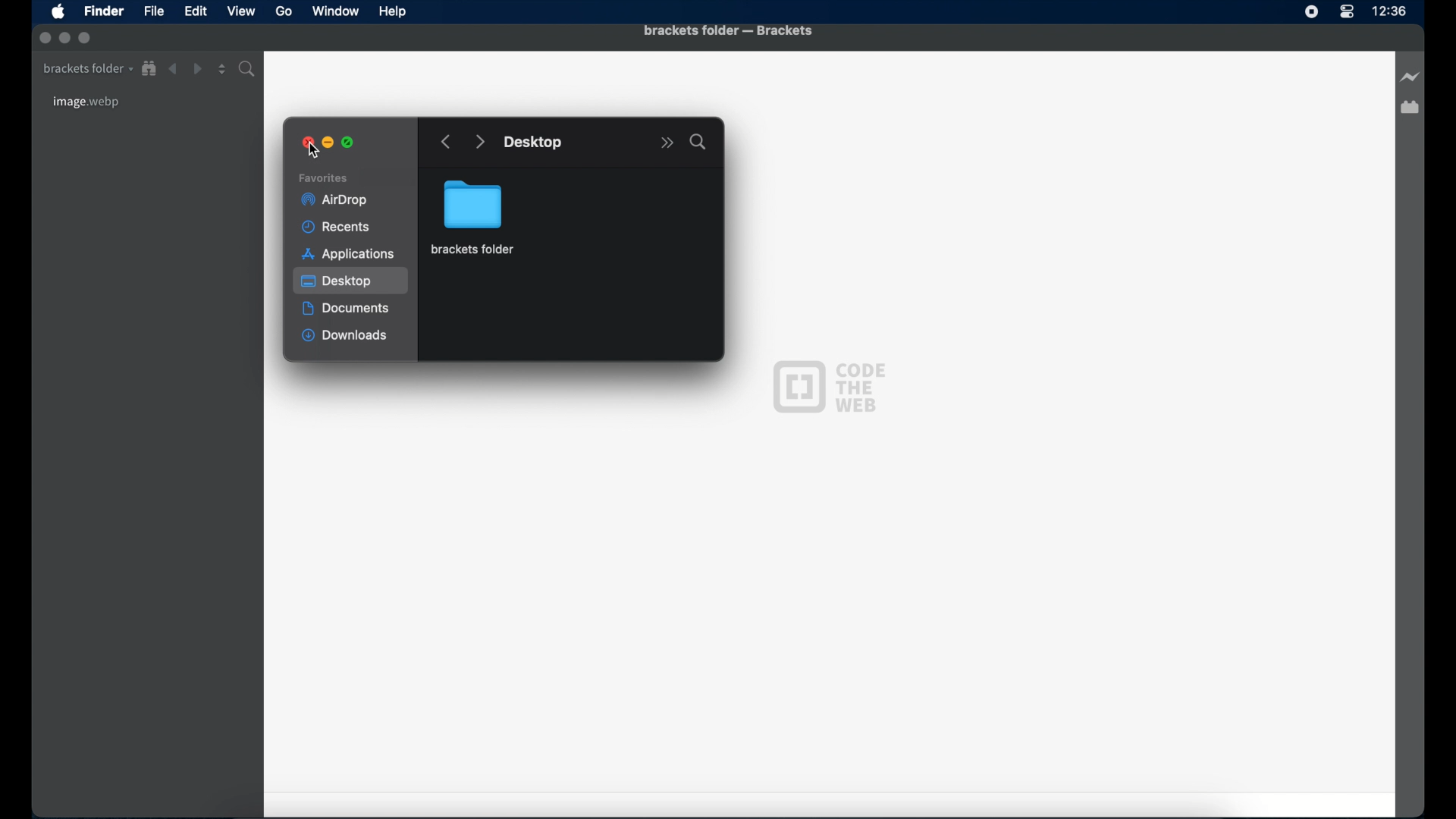 The width and height of the screenshot is (1456, 819). What do you see at coordinates (334, 200) in the screenshot?
I see `airdrop` at bounding box center [334, 200].